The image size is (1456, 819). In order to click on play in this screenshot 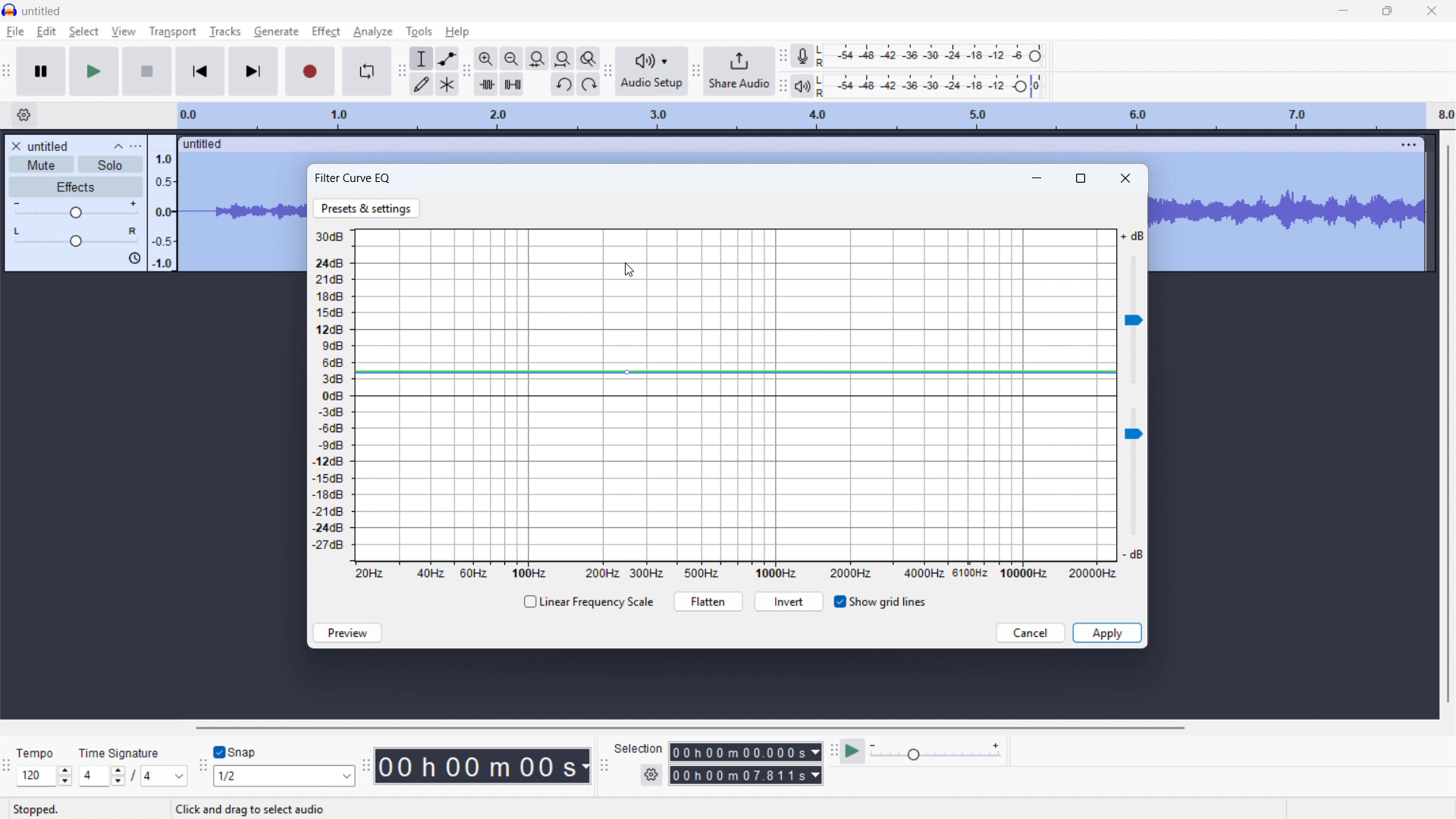, I will do `click(94, 72)`.